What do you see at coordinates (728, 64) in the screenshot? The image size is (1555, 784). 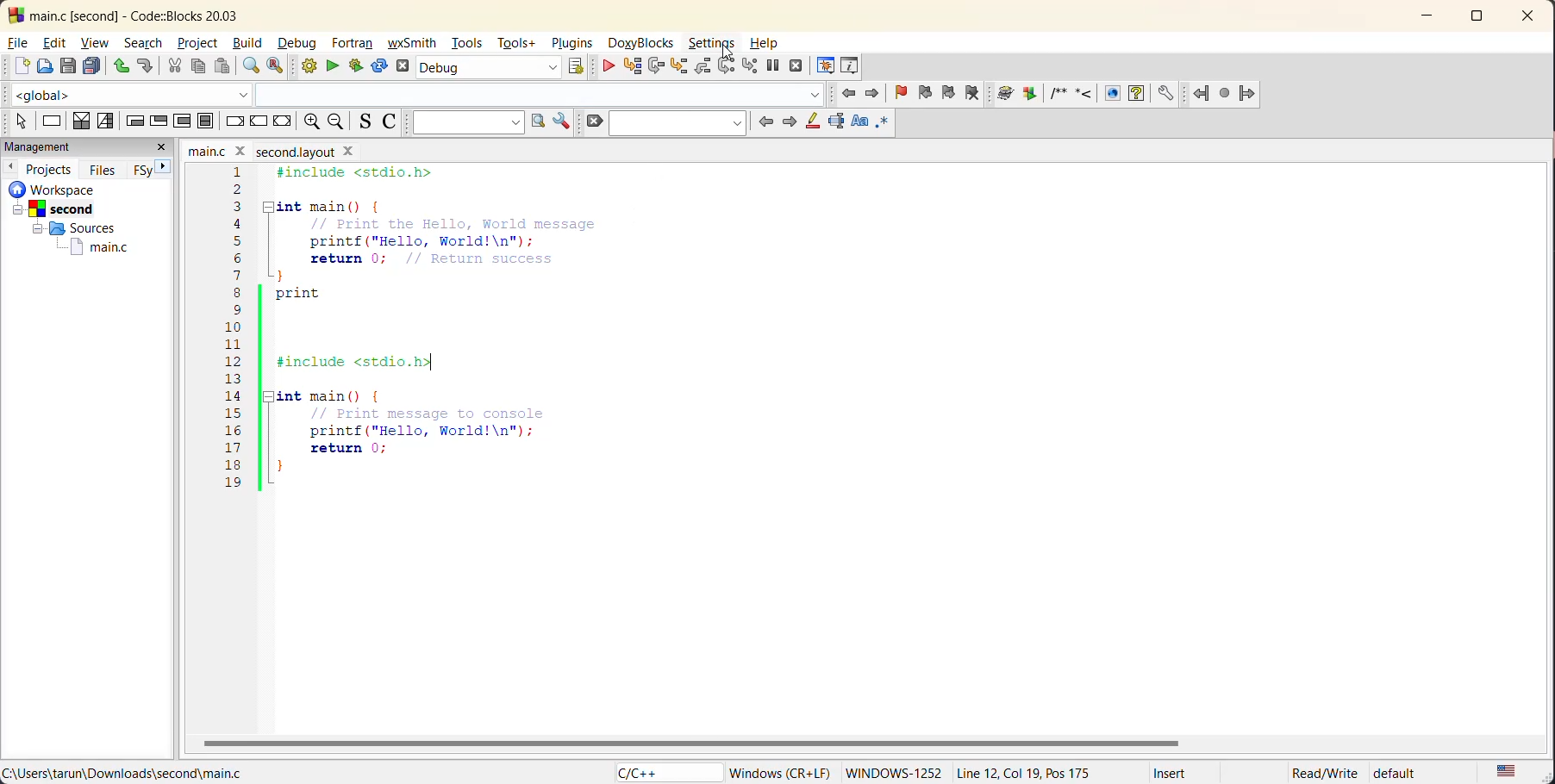 I see `next instruction` at bounding box center [728, 64].